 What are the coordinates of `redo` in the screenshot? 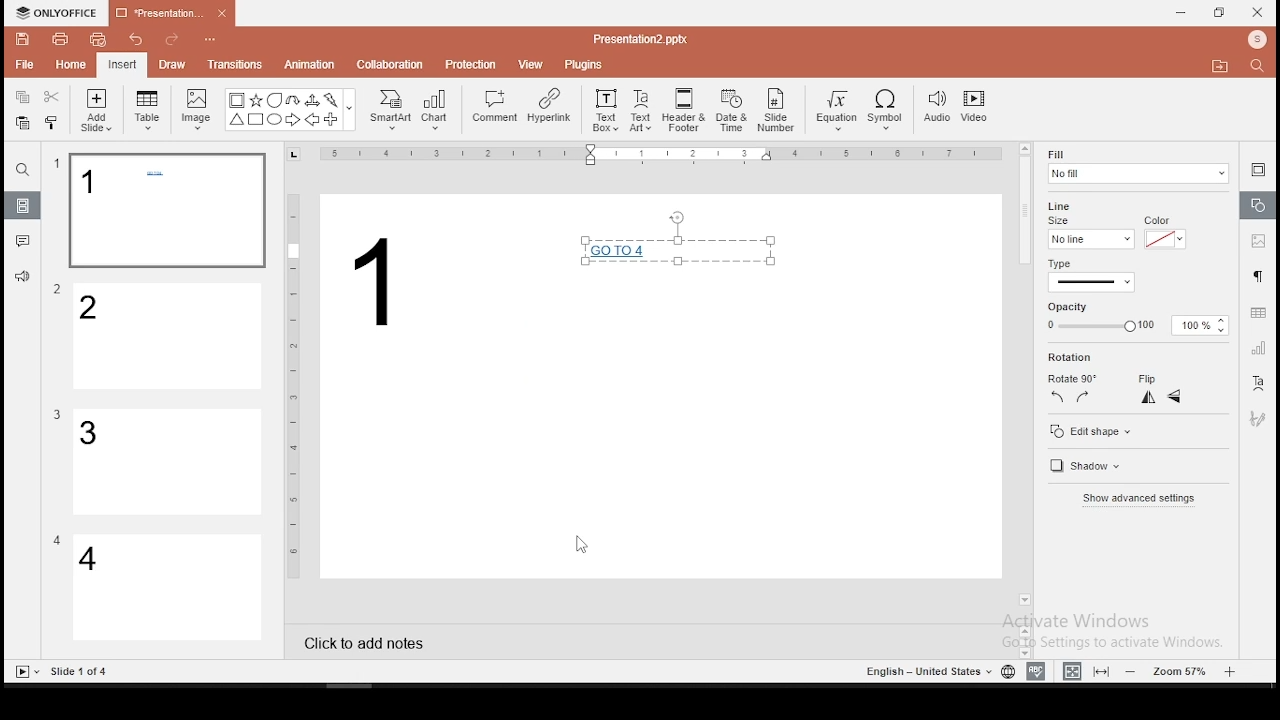 It's located at (172, 42).